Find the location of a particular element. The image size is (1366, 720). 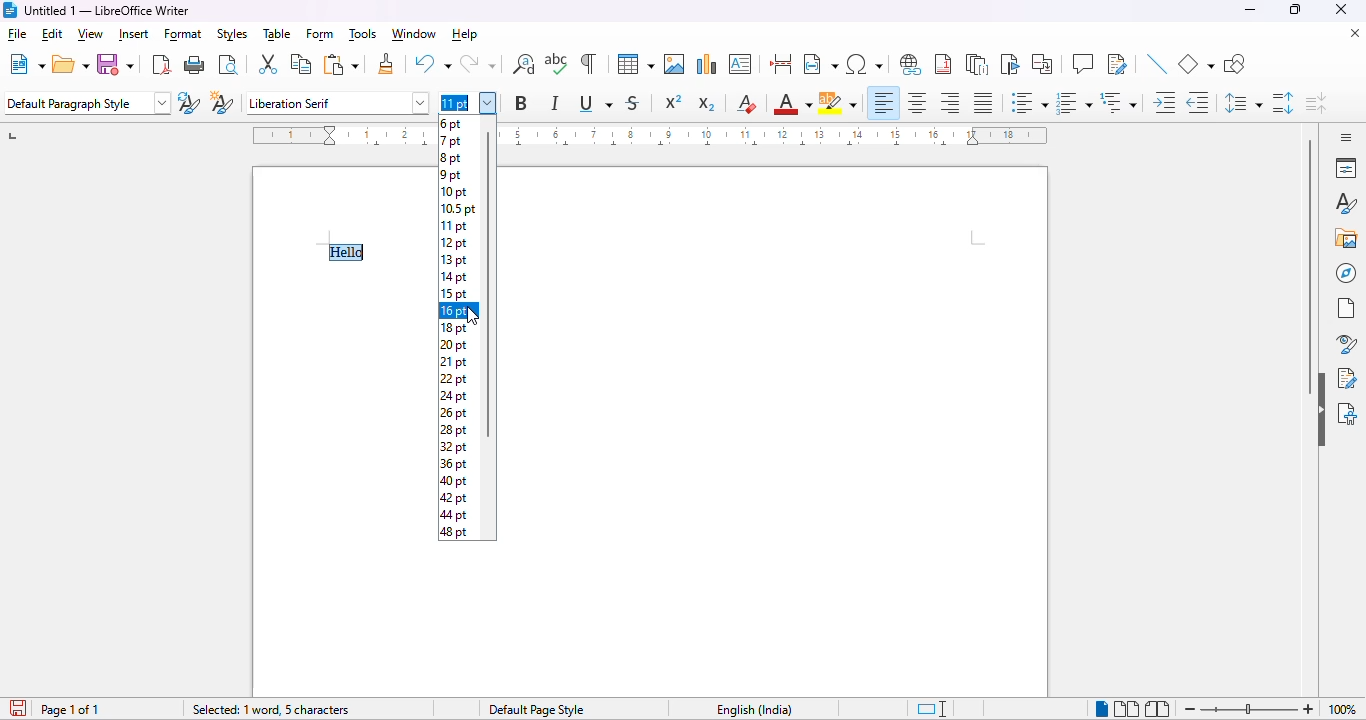

form is located at coordinates (319, 34).